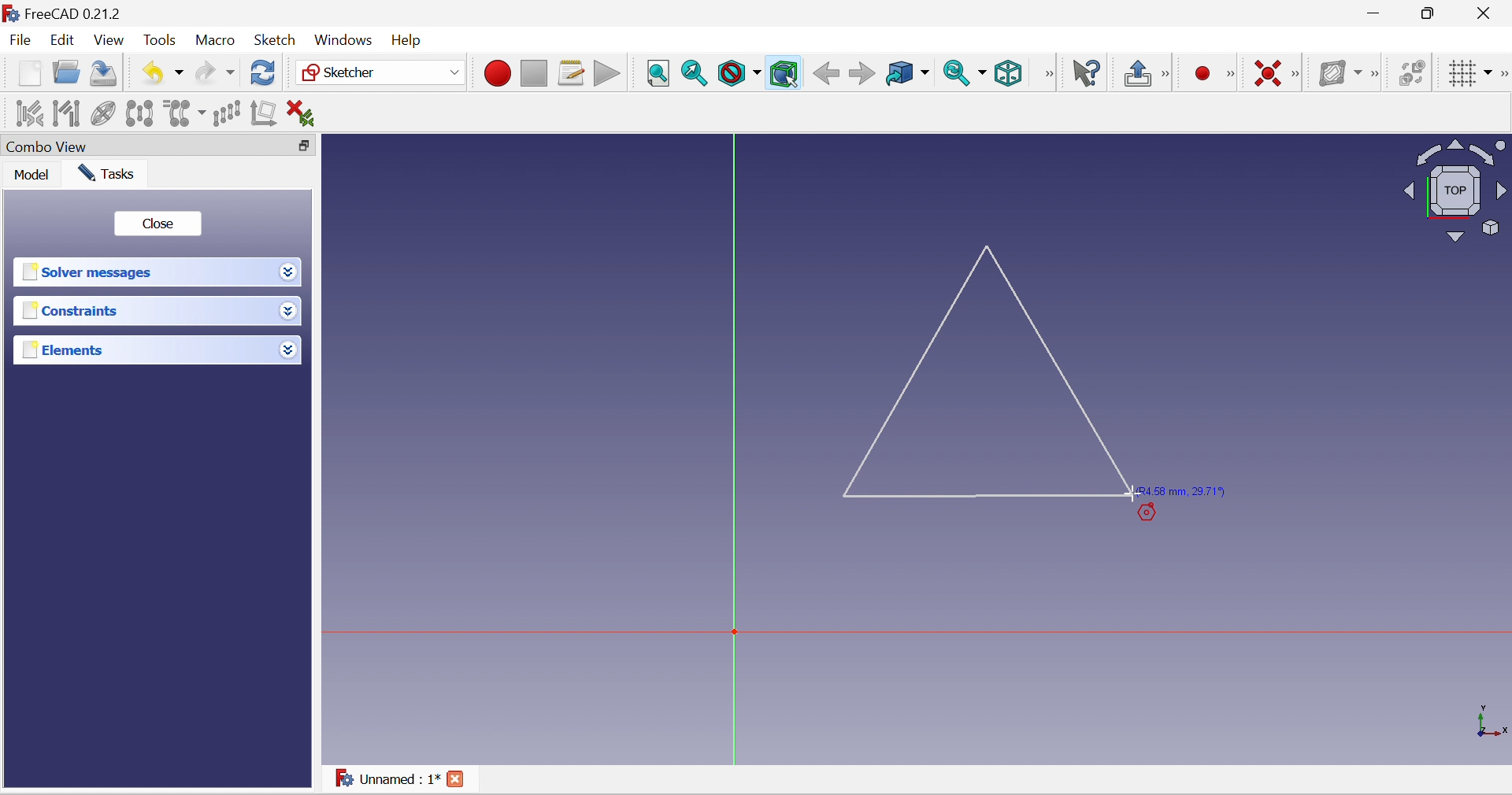 Image resolution: width=1512 pixels, height=795 pixels. Describe the element at coordinates (1295, 75) in the screenshot. I see `[Sketcher constraints]` at that location.